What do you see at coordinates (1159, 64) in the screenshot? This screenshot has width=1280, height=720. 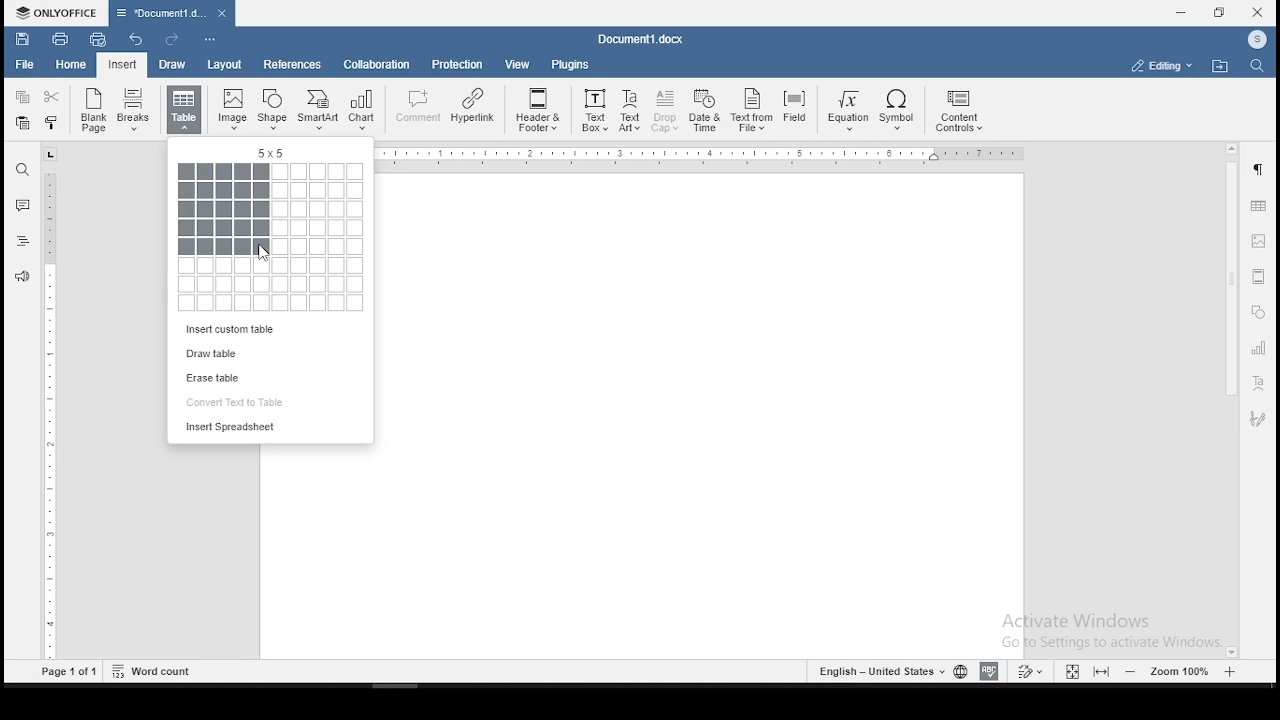 I see `select workspace` at bounding box center [1159, 64].